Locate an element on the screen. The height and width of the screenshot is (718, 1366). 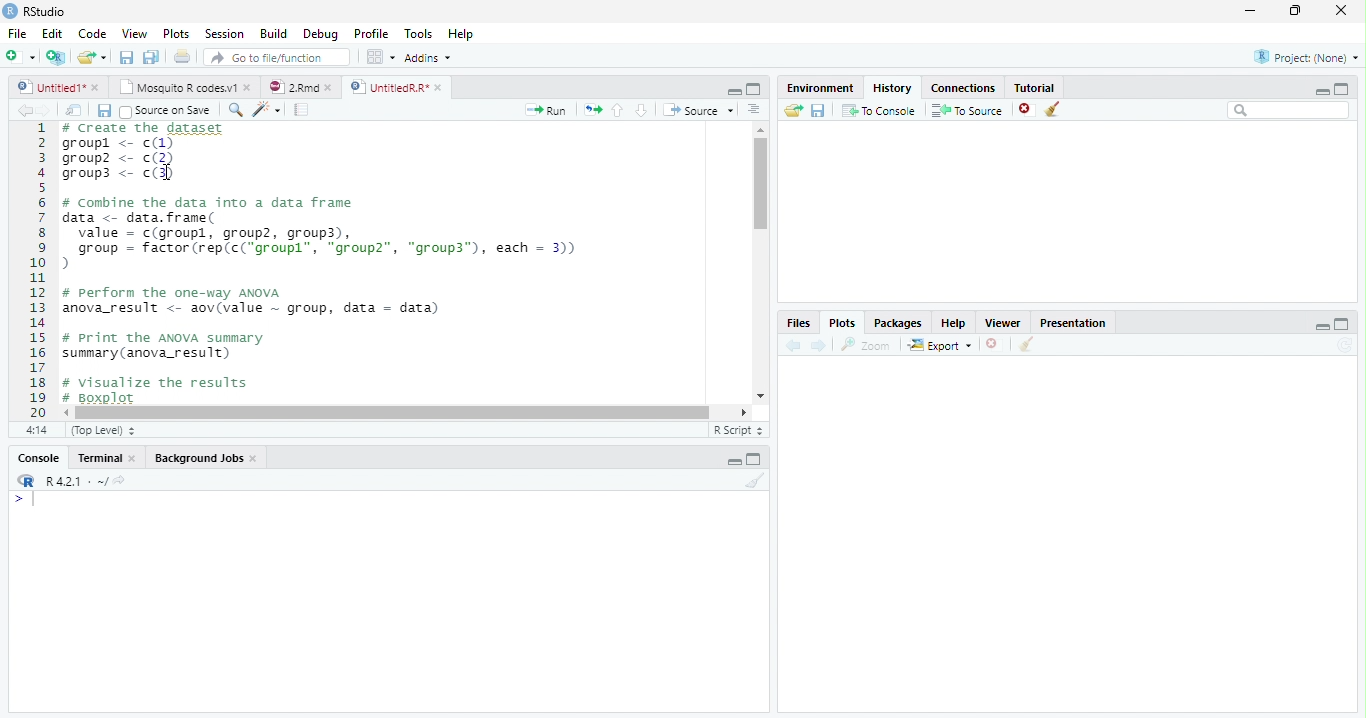
Clear objects from the workspace is located at coordinates (1051, 106).